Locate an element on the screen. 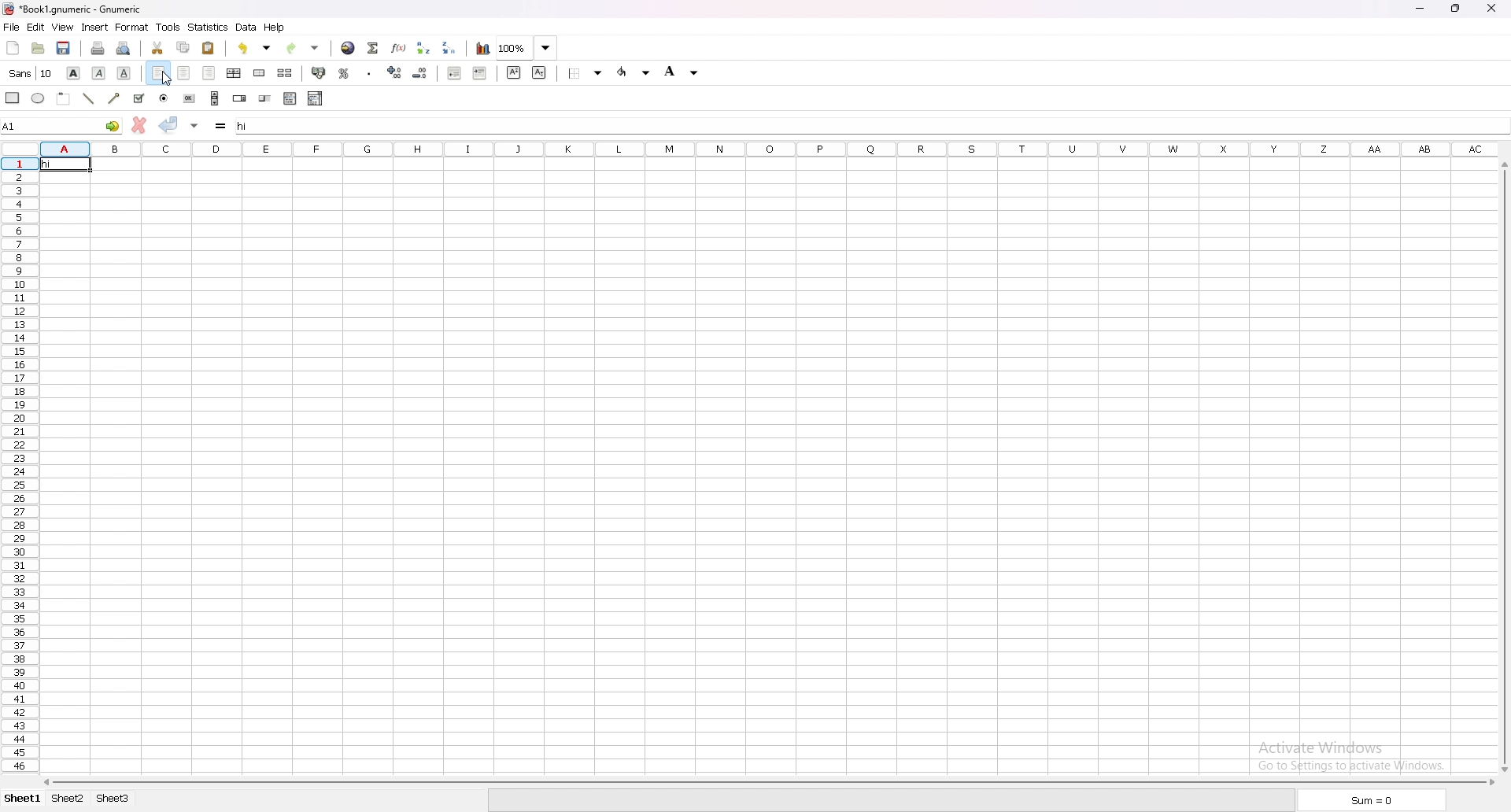 The height and width of the screenshot is (812, 1511). data is located at coordinates (246, 27).